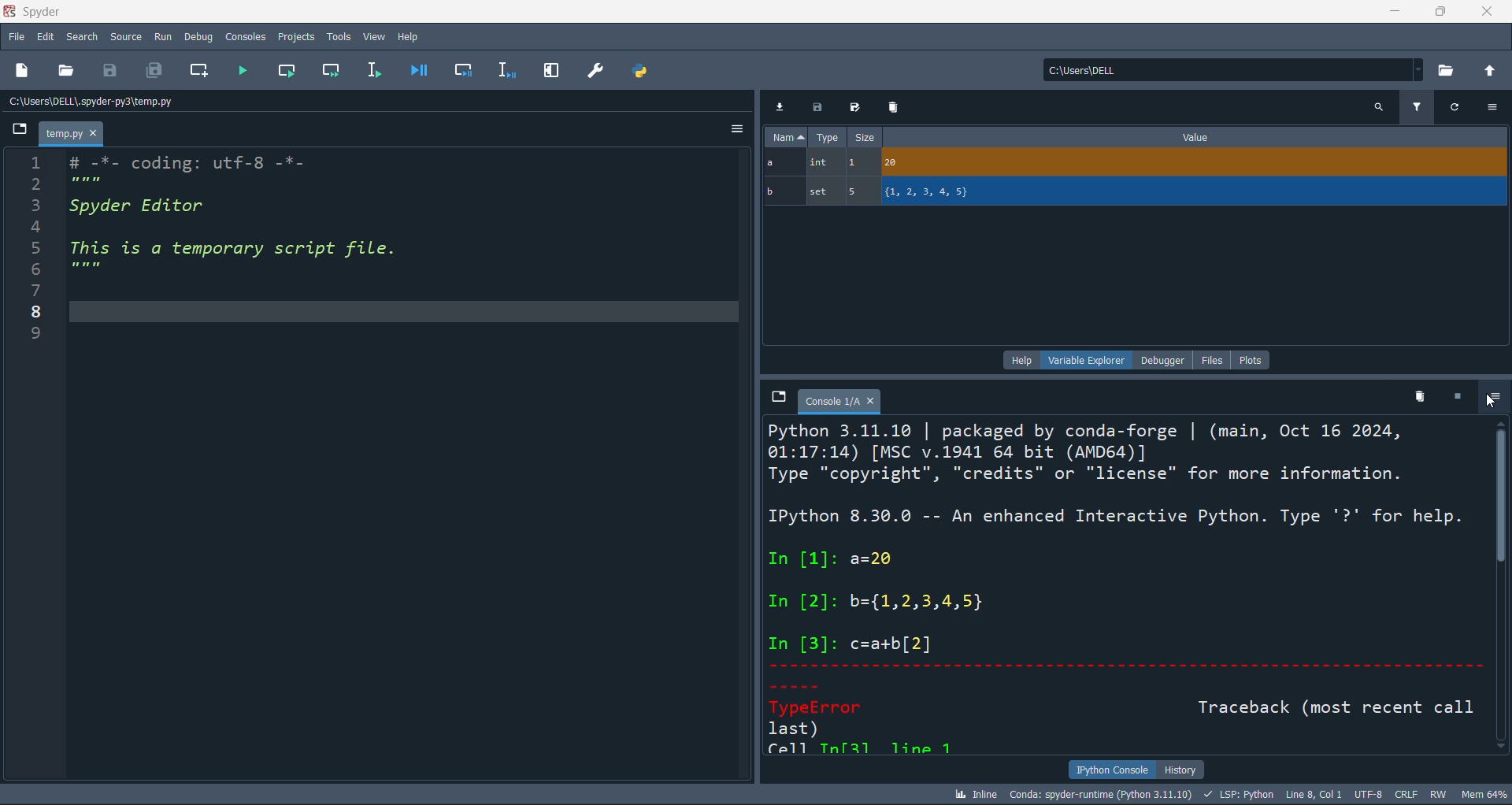  Describe the element at coordinates (154, 72) in the screenshot. I see `save all` at that location.